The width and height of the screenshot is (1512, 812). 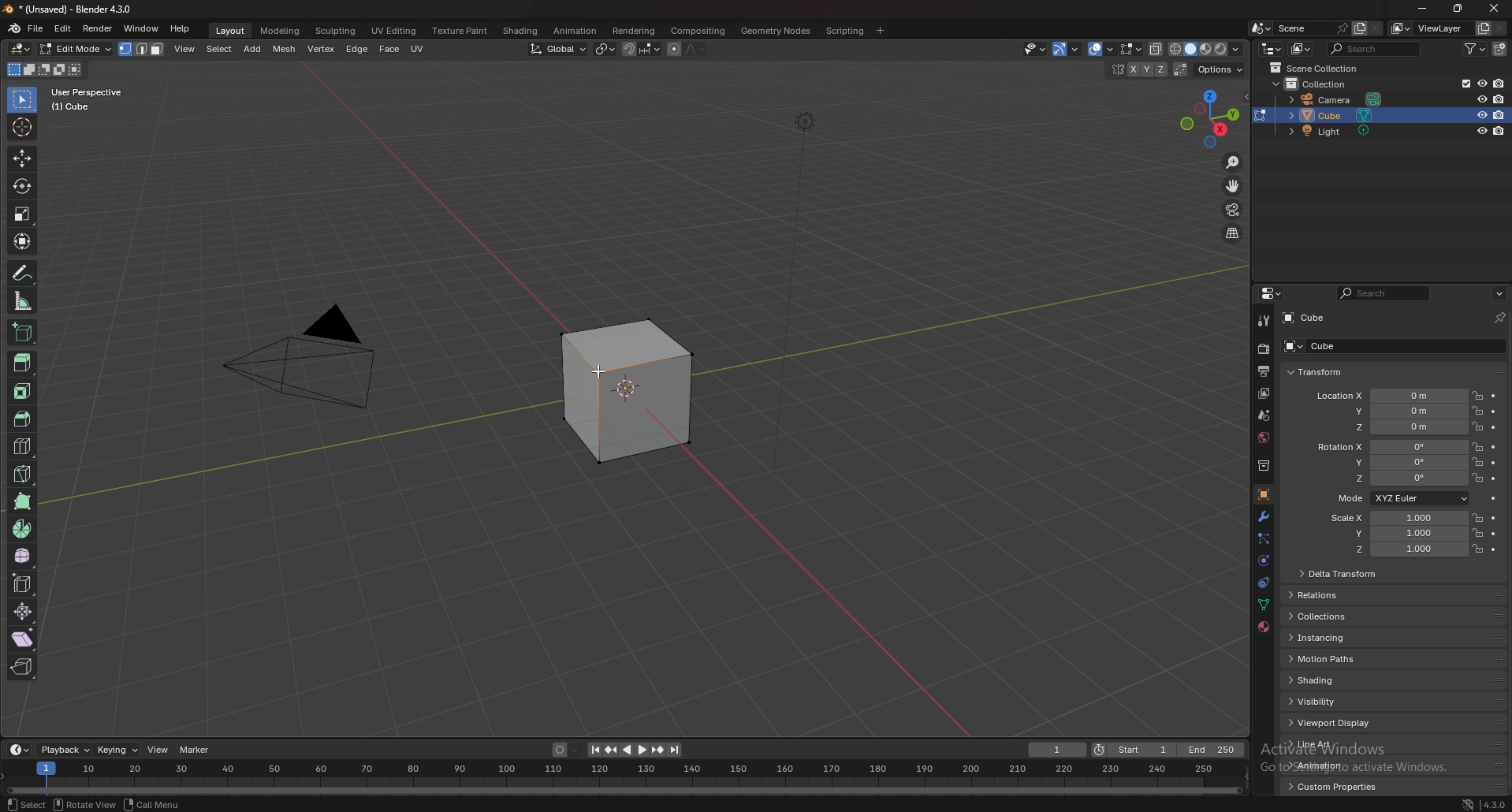 What do you see at coordinates (1494, 518) in the screenshot?
I see `animate property` at bounding box center [1494, 518].